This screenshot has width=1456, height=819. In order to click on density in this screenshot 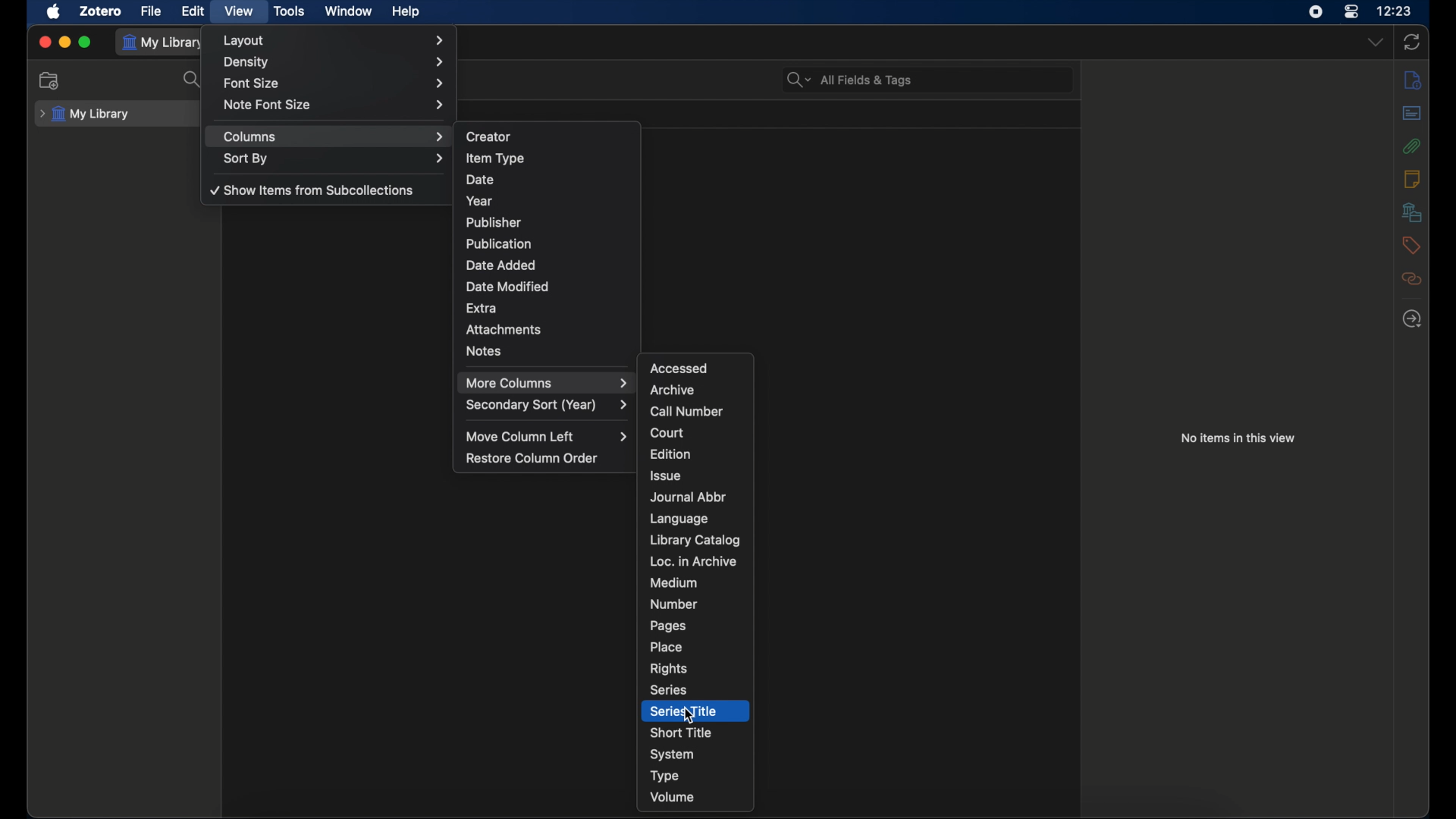, I will do `click(335, 62)`.